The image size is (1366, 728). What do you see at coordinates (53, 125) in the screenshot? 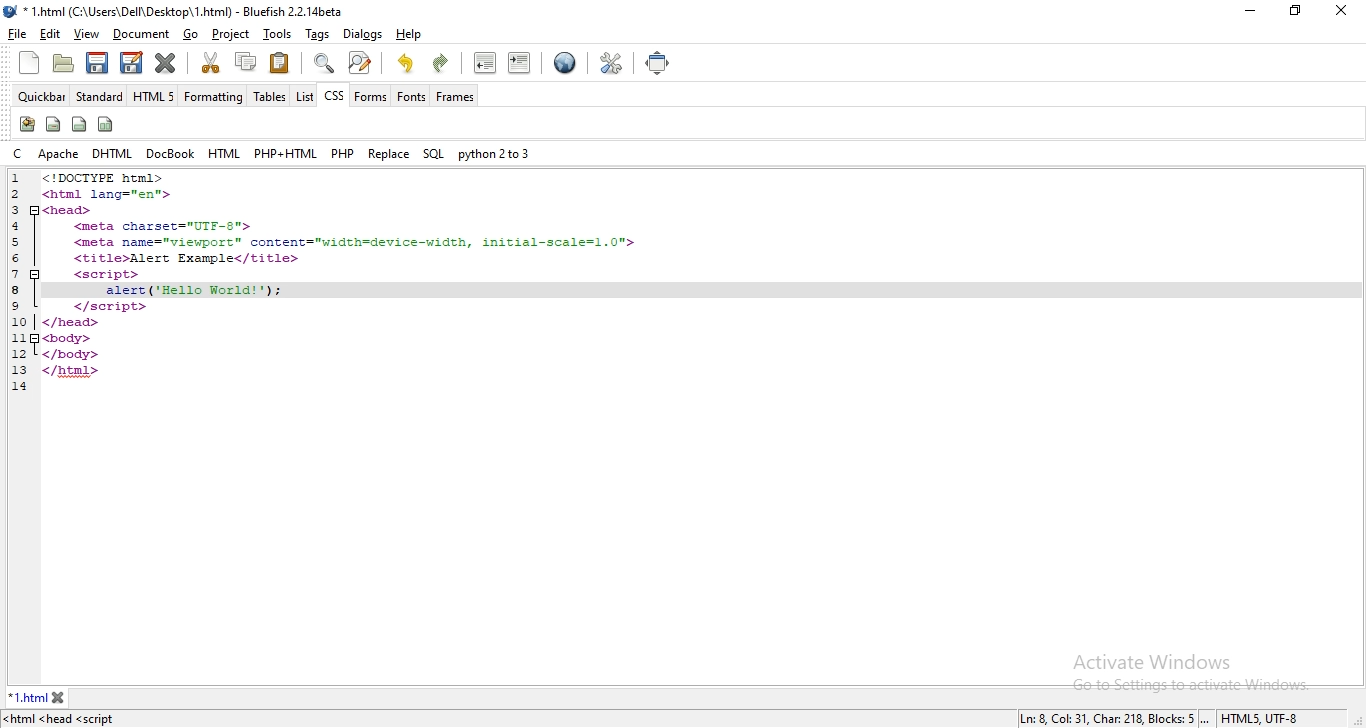
I see `icon` at bounding box center [53, 125].